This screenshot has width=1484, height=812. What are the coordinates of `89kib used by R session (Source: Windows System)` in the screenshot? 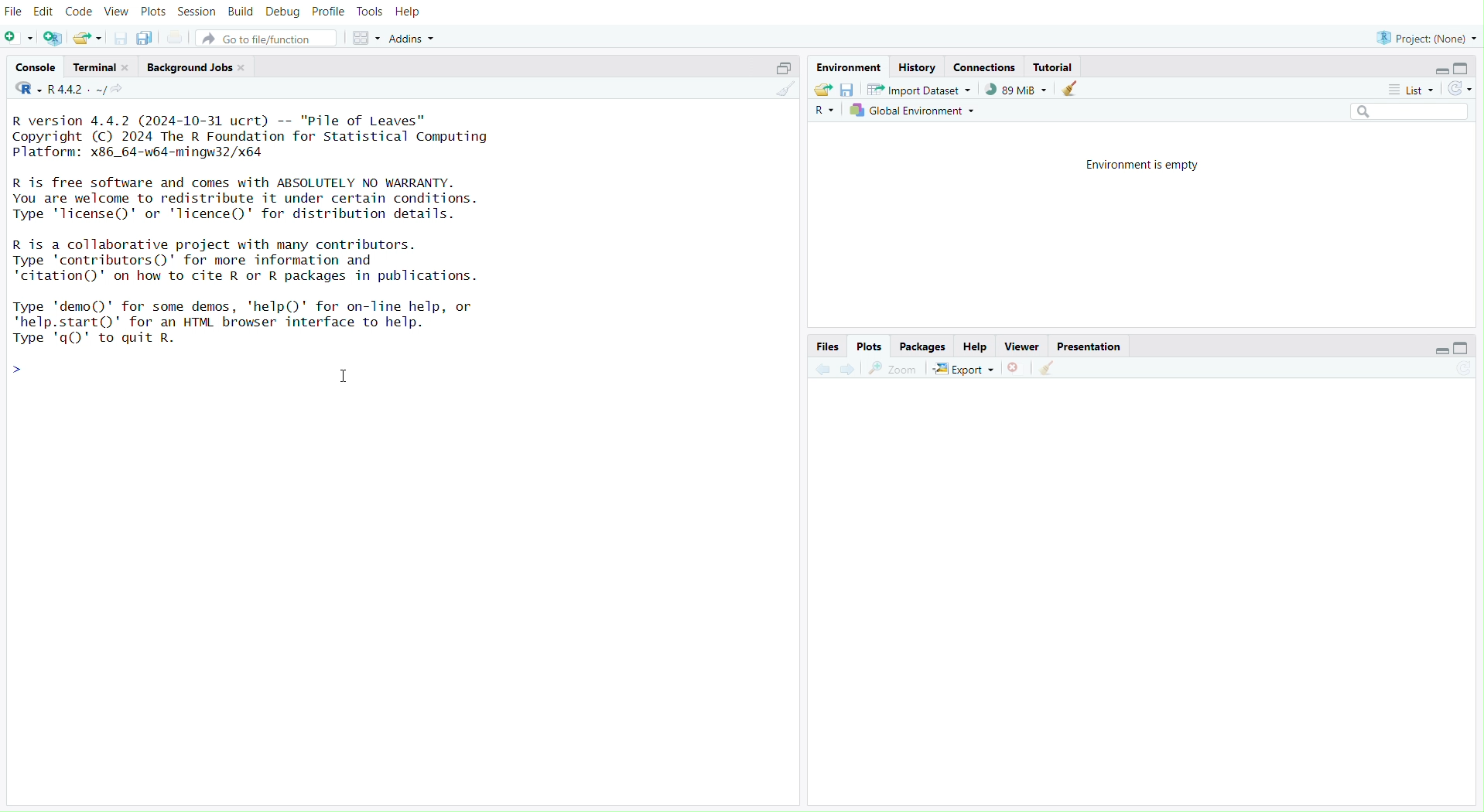 It's located at (1018, 89).